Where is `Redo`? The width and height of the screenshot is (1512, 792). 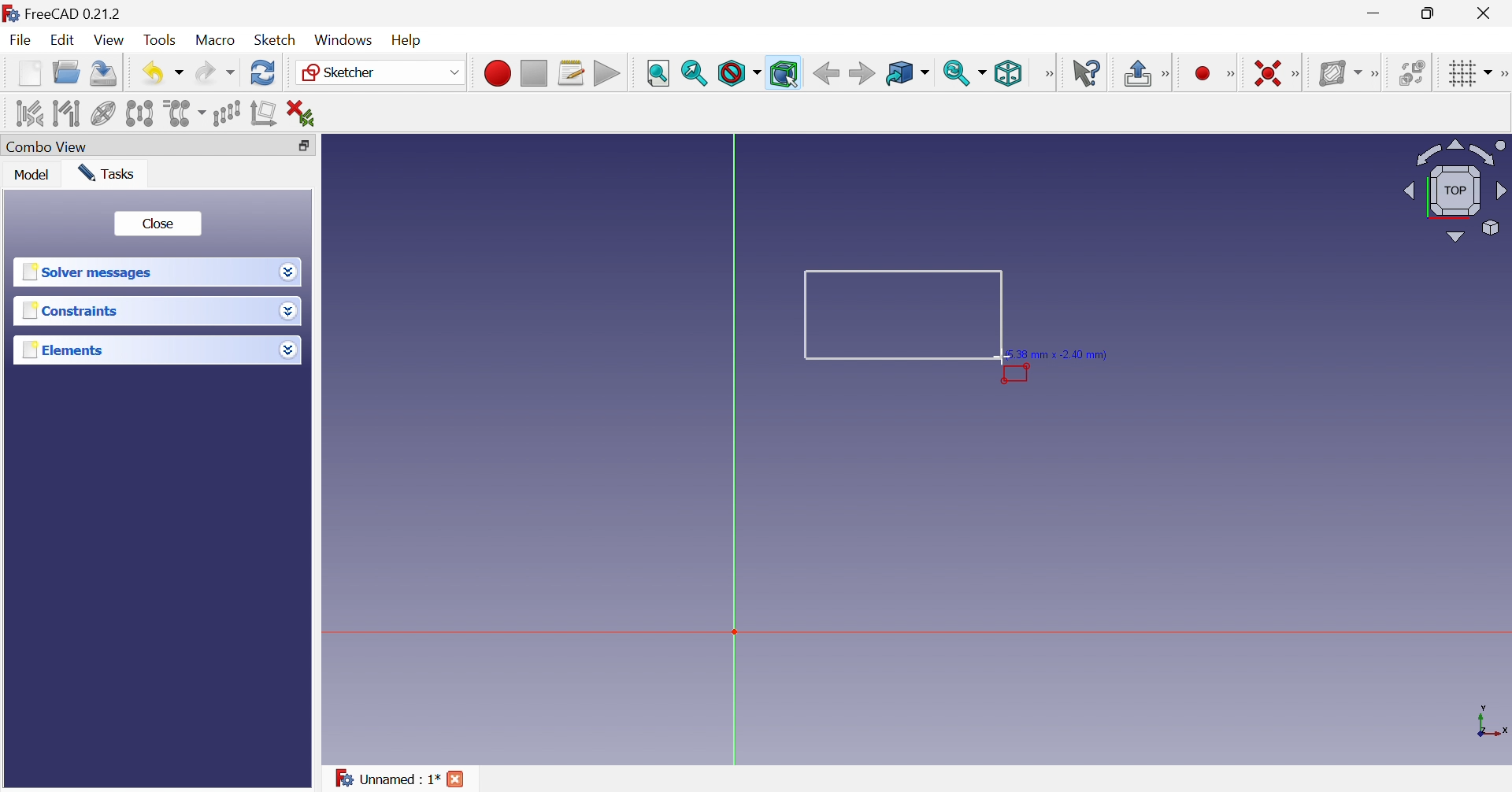
Redo is located at coordinates (213, 72).